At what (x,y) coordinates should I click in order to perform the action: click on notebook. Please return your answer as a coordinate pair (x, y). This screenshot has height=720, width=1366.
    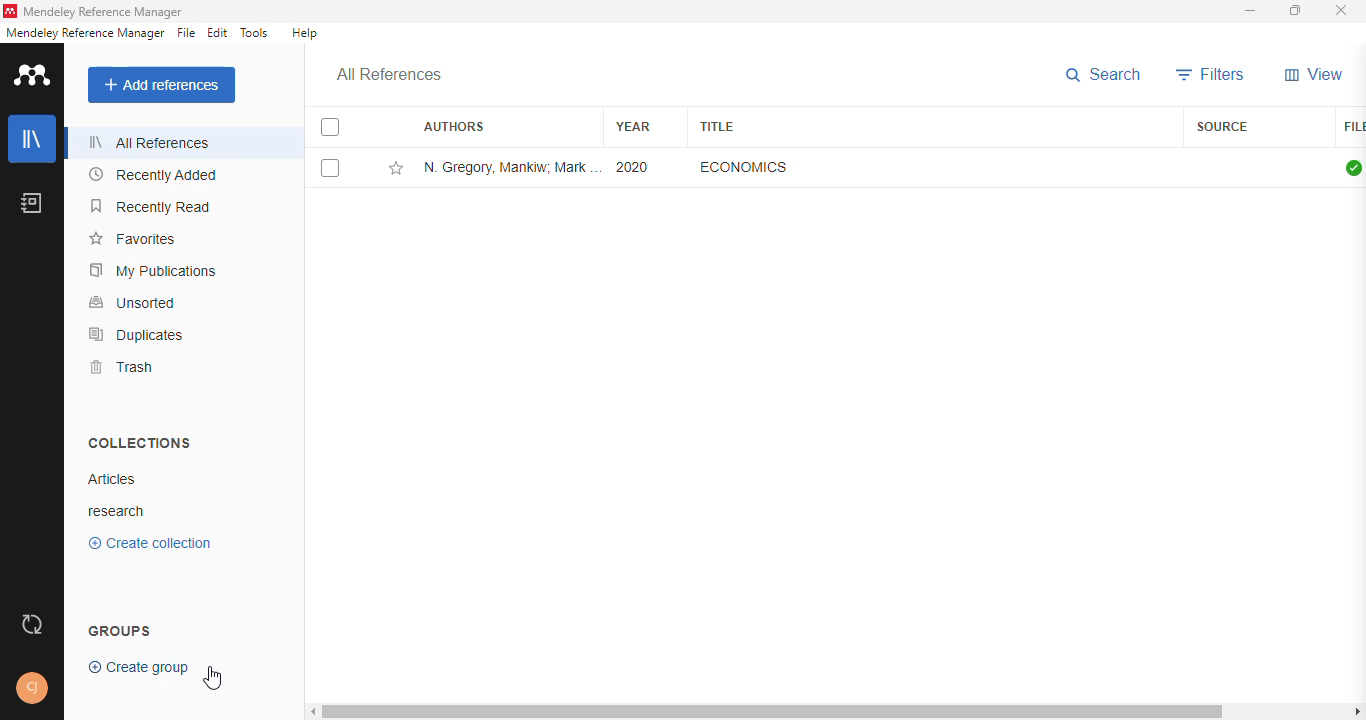
    Looking at the image, I should click on (31, 202).